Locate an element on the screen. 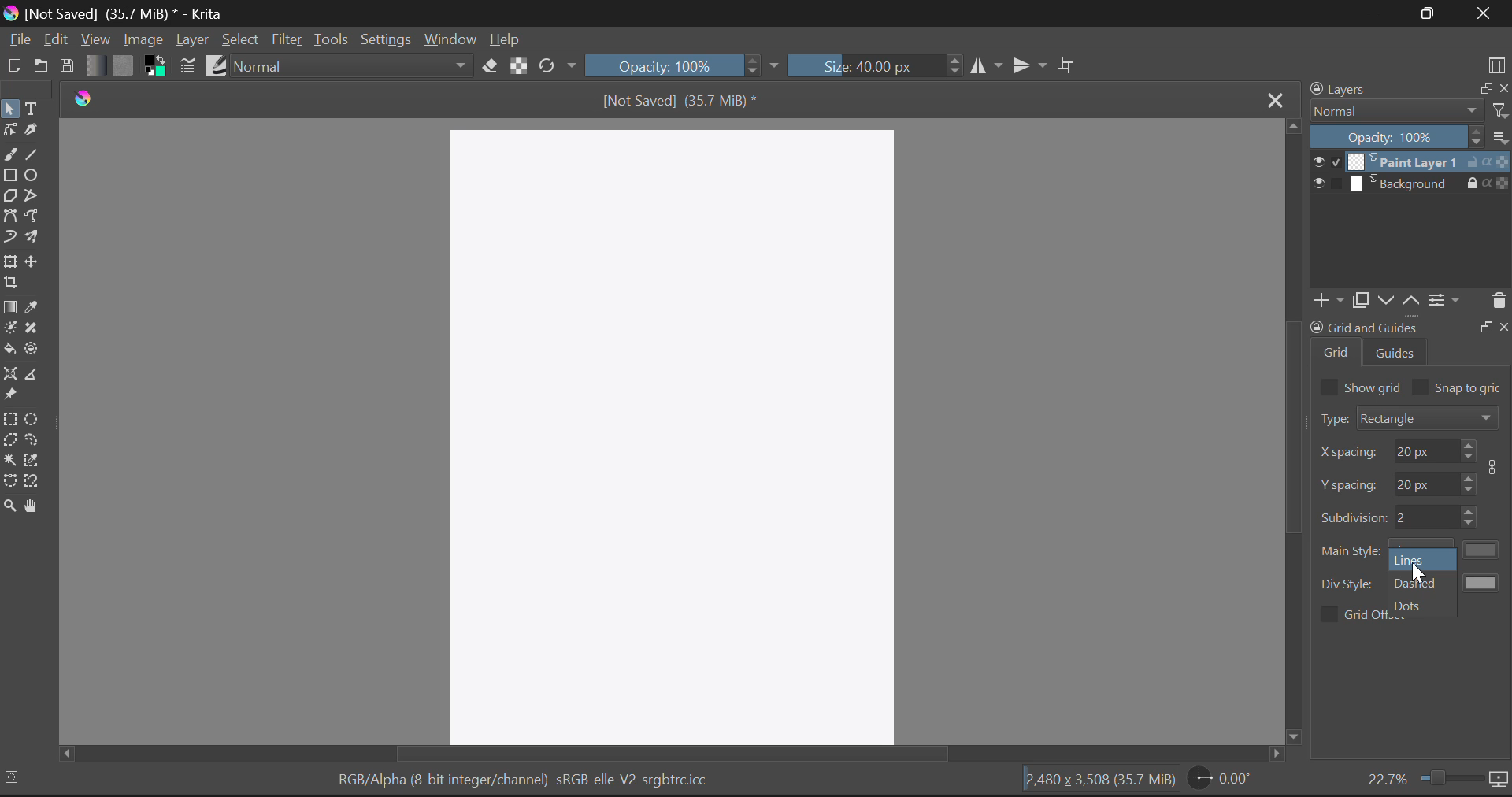 The height and width of the screenshot is (797, 1512). Open is located at coordinates (41, 68).